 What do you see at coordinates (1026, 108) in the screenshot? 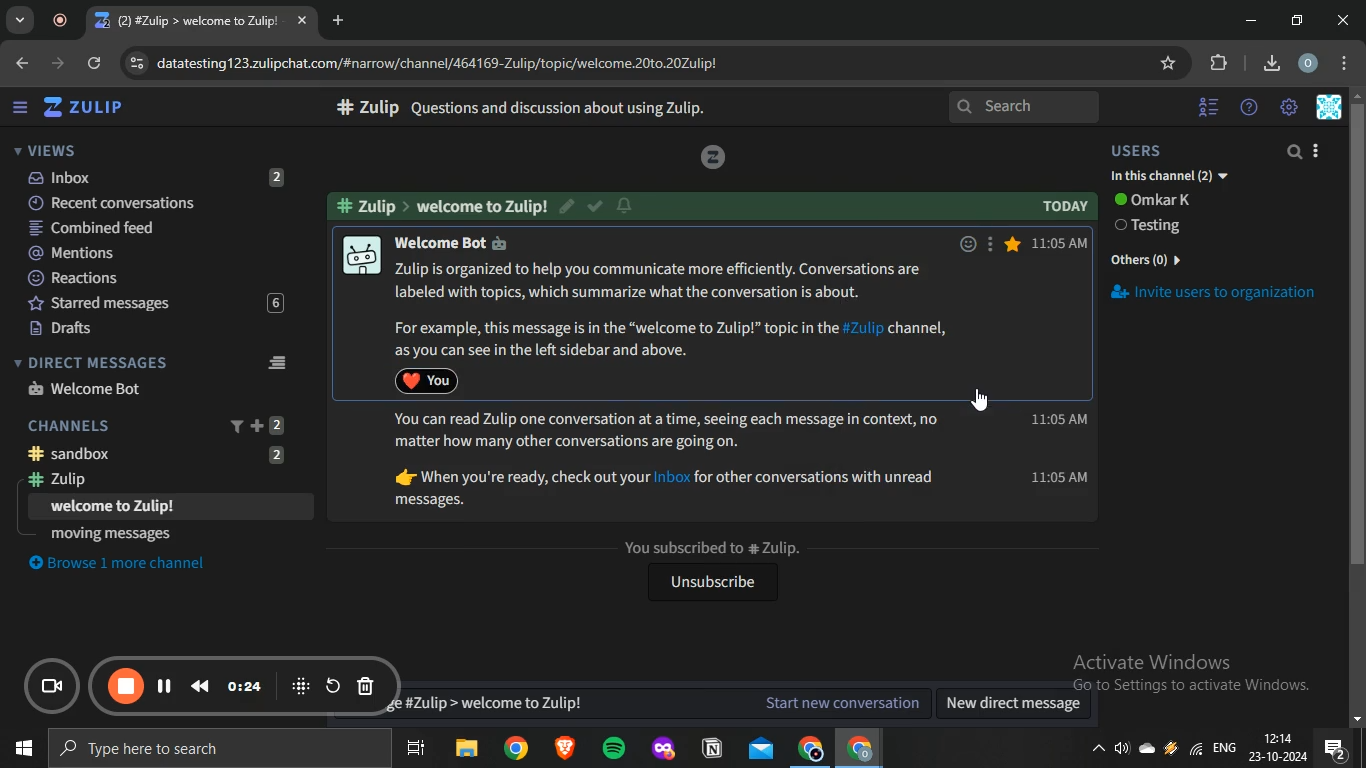
I see `search` at bounding box center [1026, 108].